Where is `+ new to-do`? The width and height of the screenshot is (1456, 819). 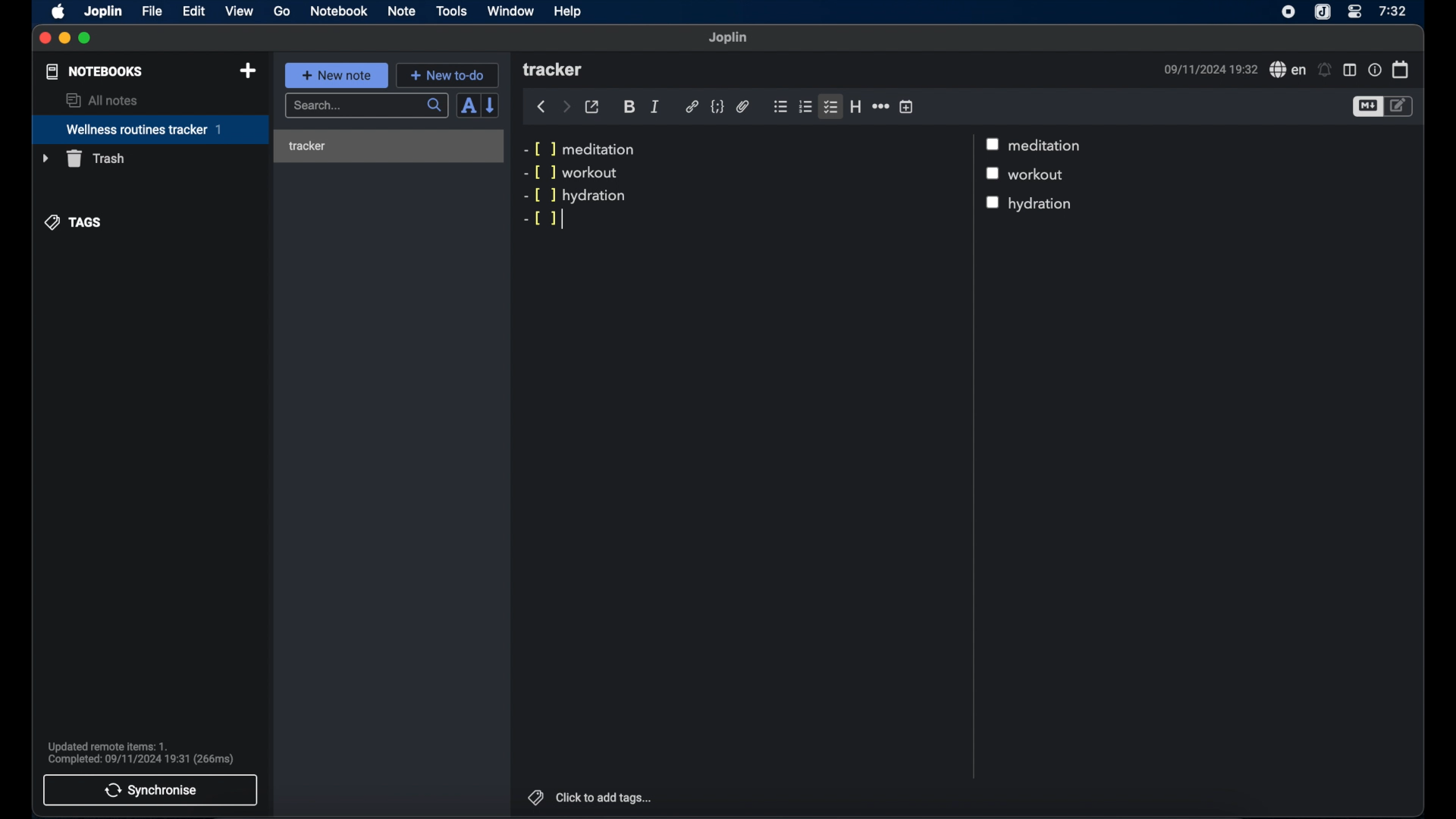 + new to-do is located at coordinates (447, 74).